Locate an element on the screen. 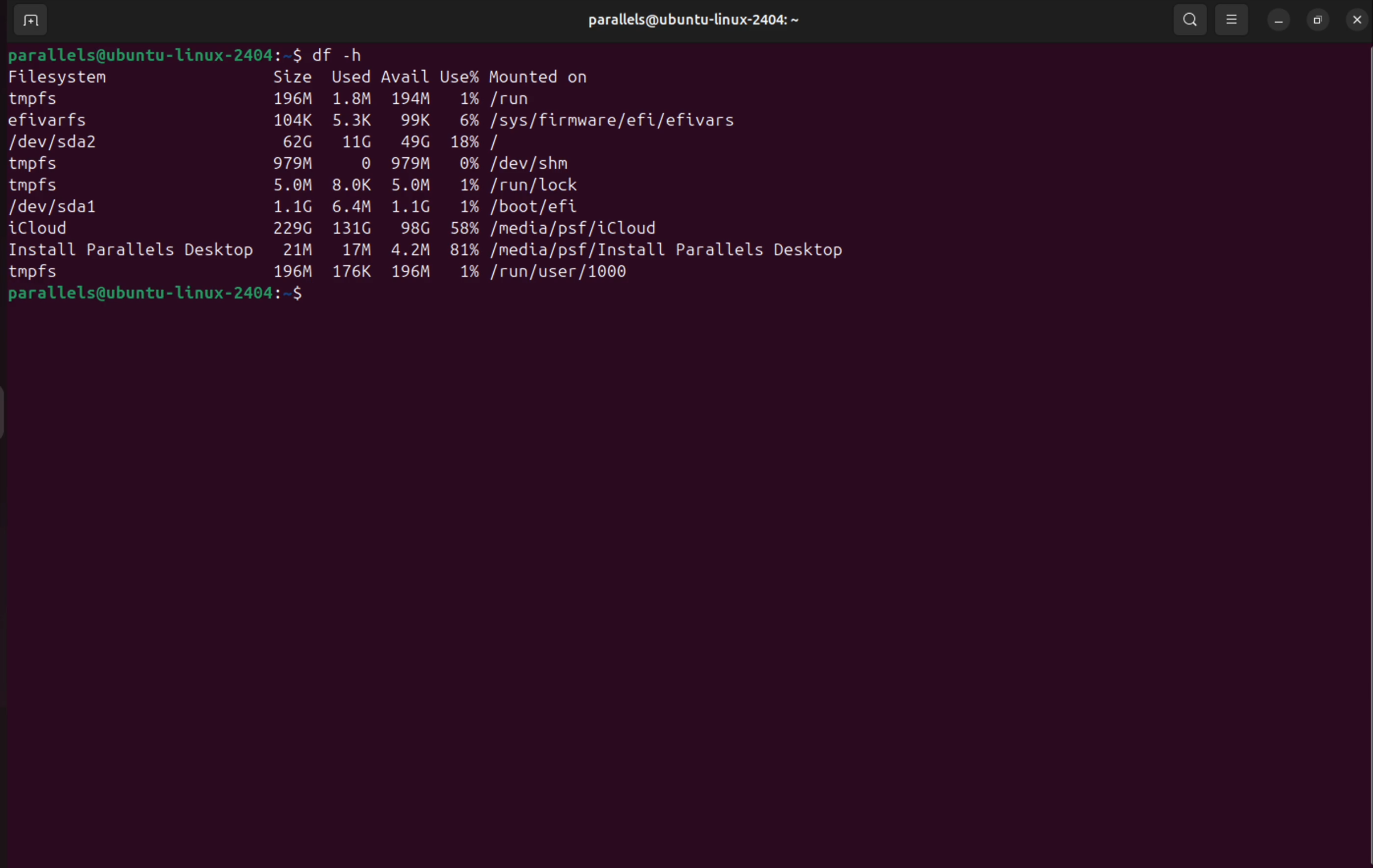 The image size is (1373, 868). 49g is located at coordinates (414, 142).